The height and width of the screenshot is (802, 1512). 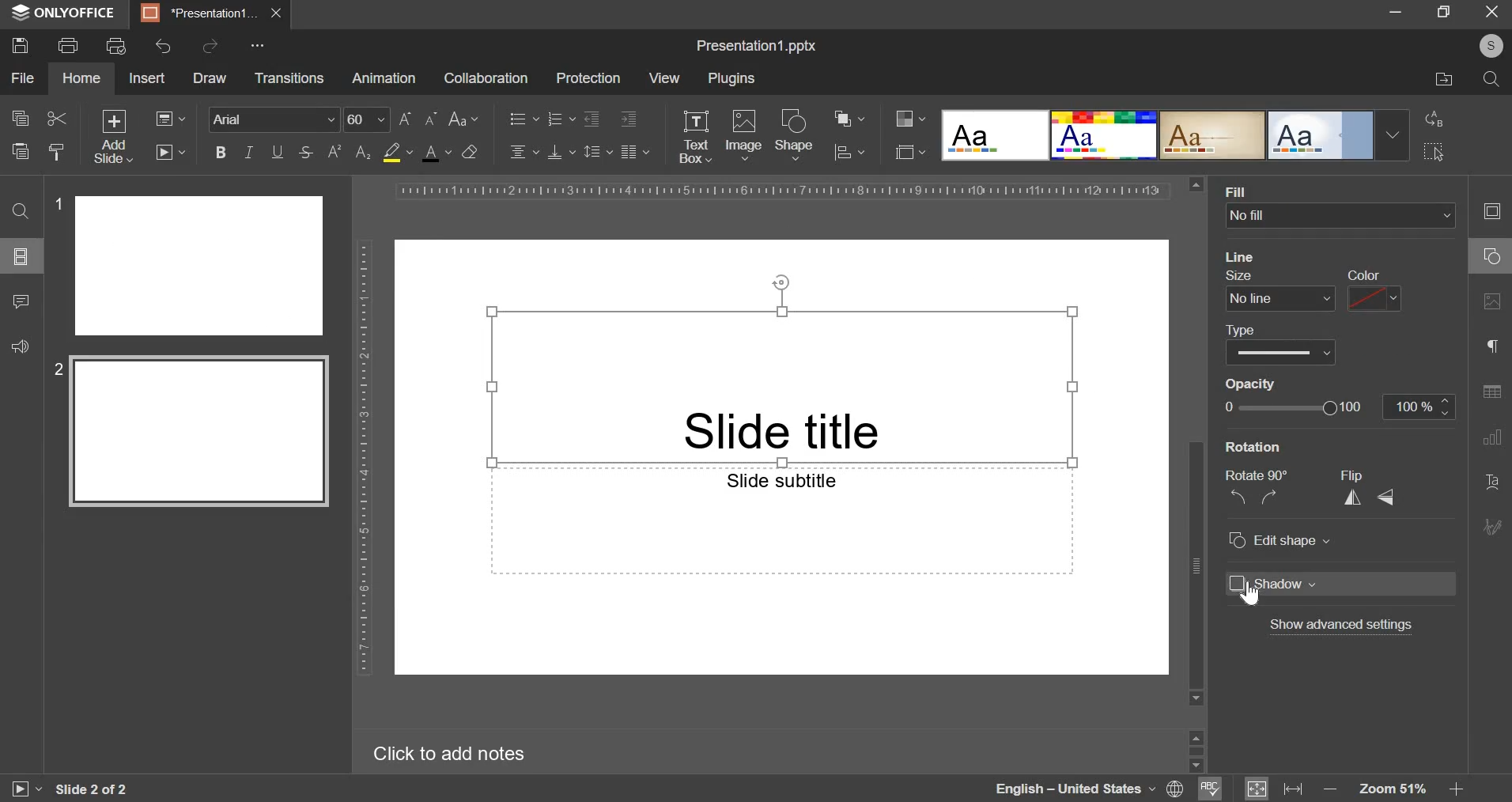 I want to click on right, so click(x=1275, y=496).